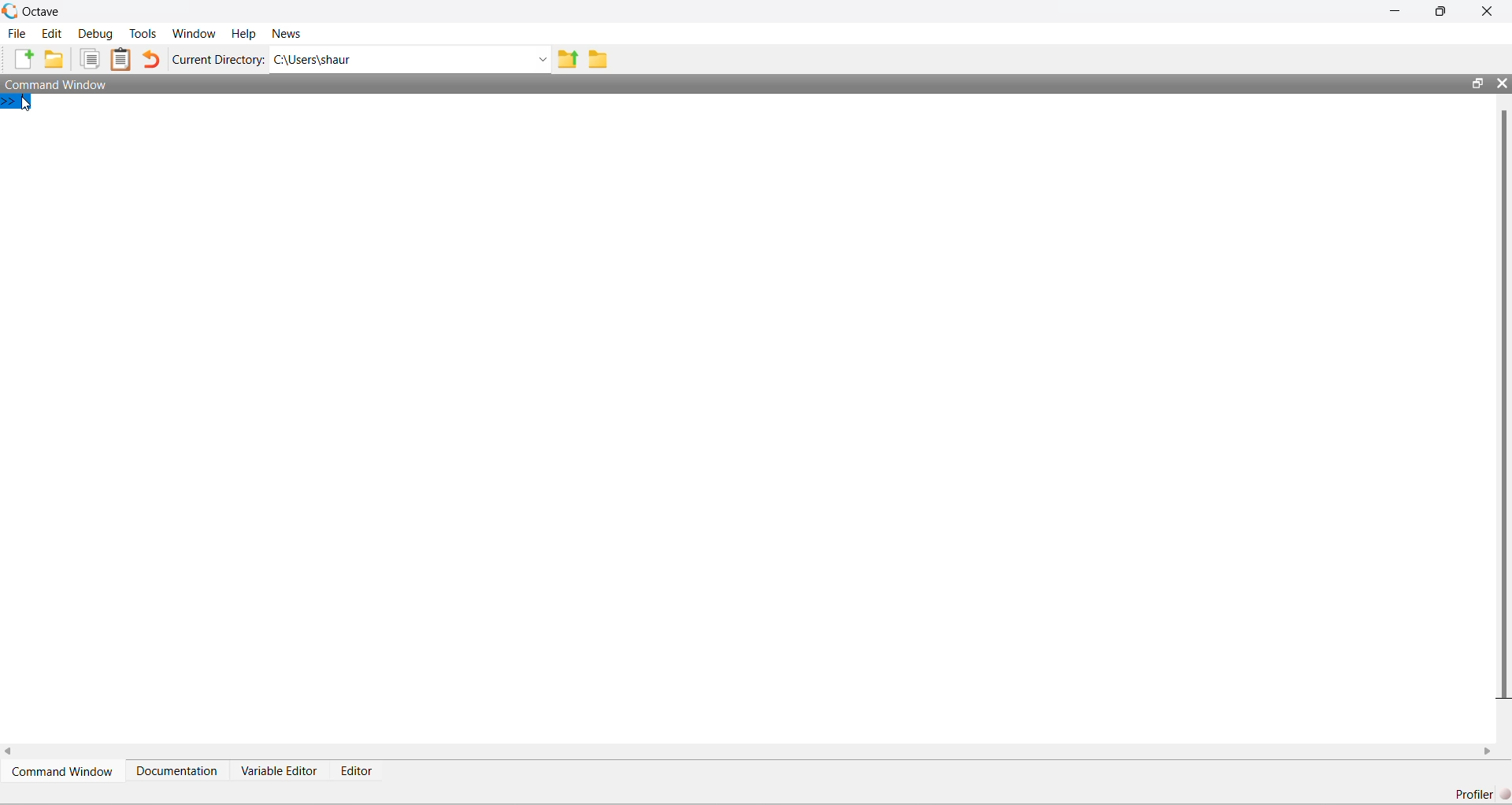  I want to click on Tools, so click(143, 33).